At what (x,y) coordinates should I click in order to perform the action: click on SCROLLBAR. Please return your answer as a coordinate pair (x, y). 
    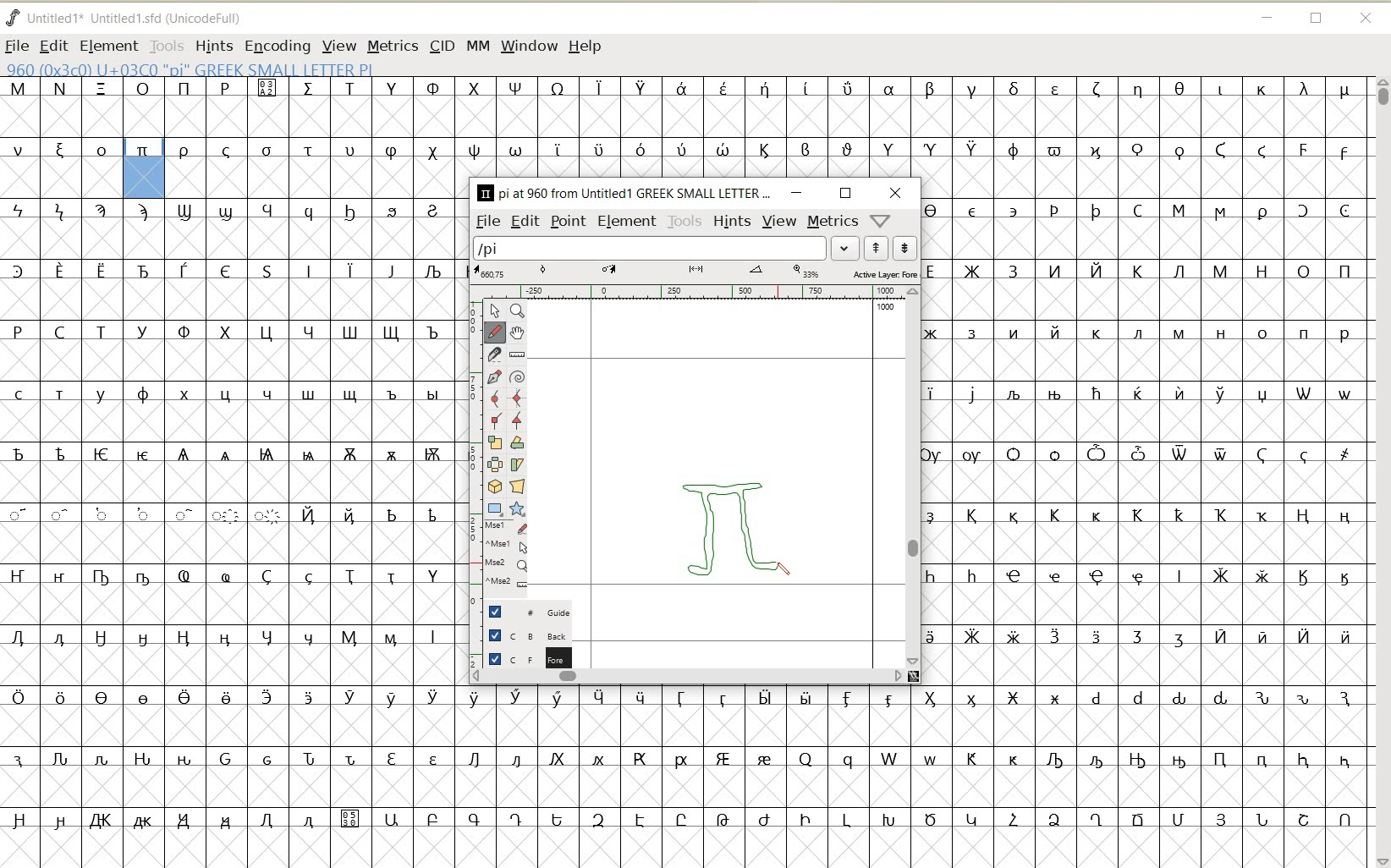
    Looking at the image, I should click on (914, 477).